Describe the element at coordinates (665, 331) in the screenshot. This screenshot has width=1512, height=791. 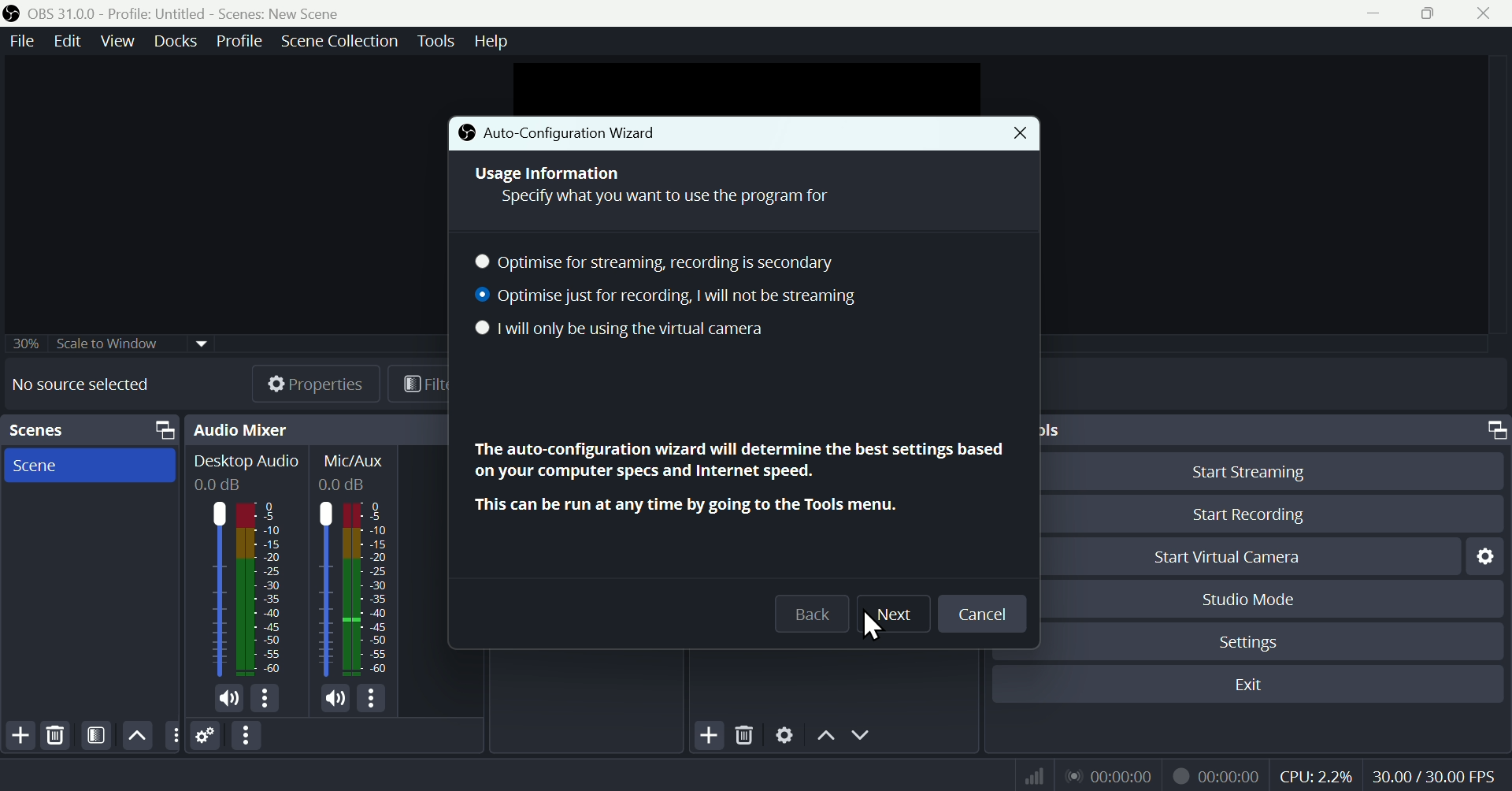
I see `only be using the virtual camera` at that location.